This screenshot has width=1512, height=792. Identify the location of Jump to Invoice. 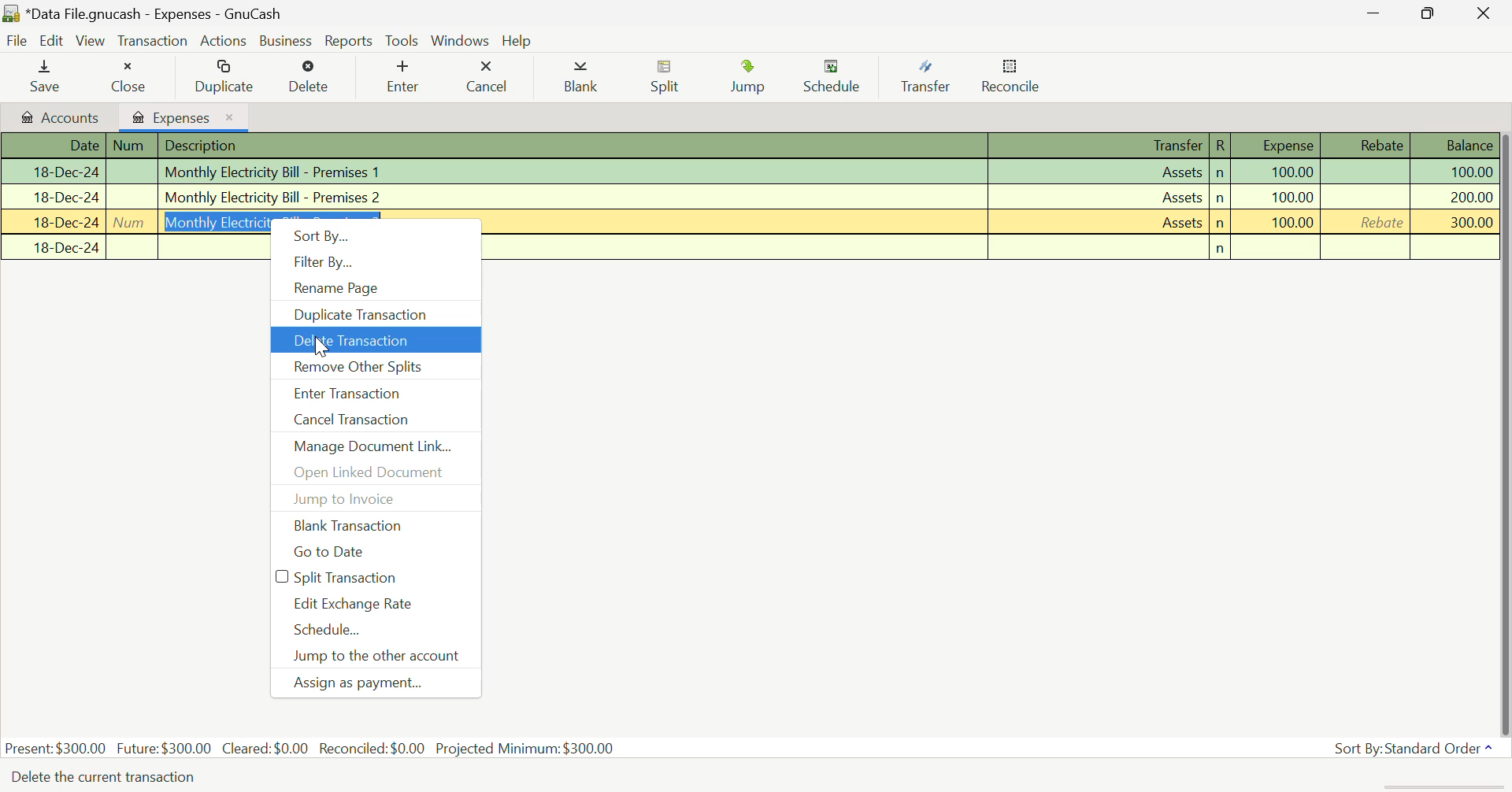
(377, 500).